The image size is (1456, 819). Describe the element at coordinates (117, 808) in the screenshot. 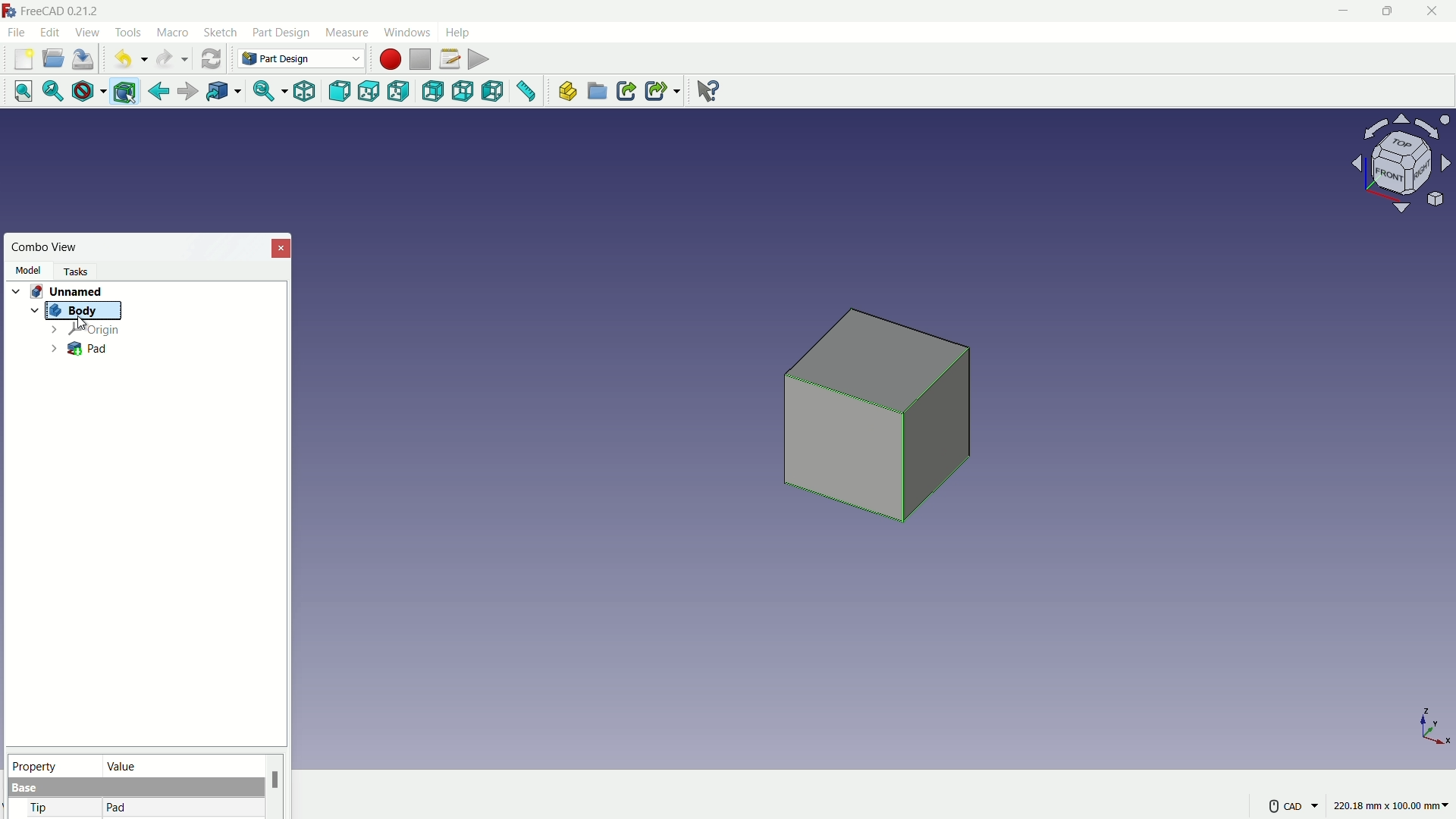

I see `pad` at that location.